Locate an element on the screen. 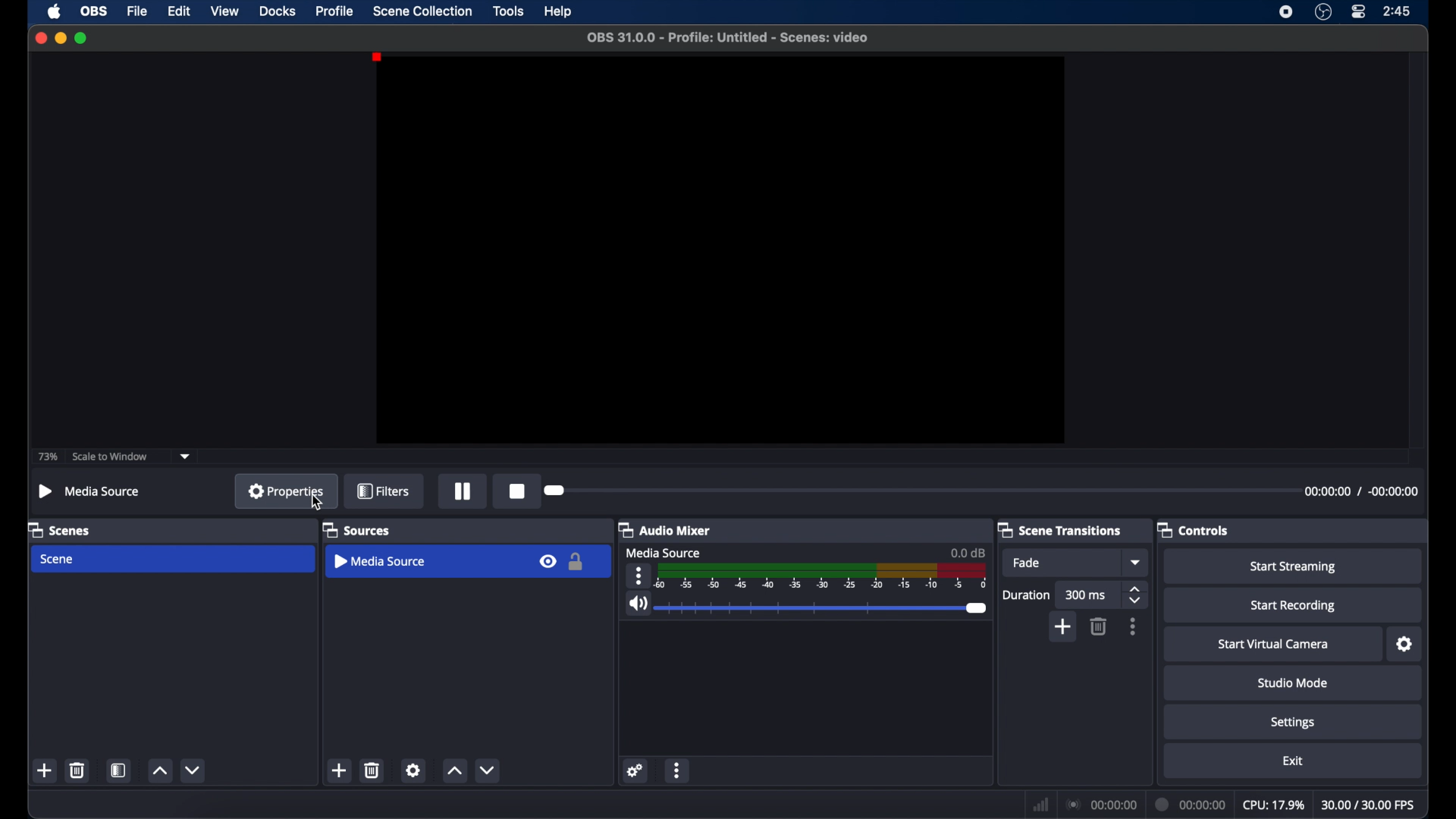 The height and width of the screenshot is (819, 1456). lock is located at coordinates (577, 562).